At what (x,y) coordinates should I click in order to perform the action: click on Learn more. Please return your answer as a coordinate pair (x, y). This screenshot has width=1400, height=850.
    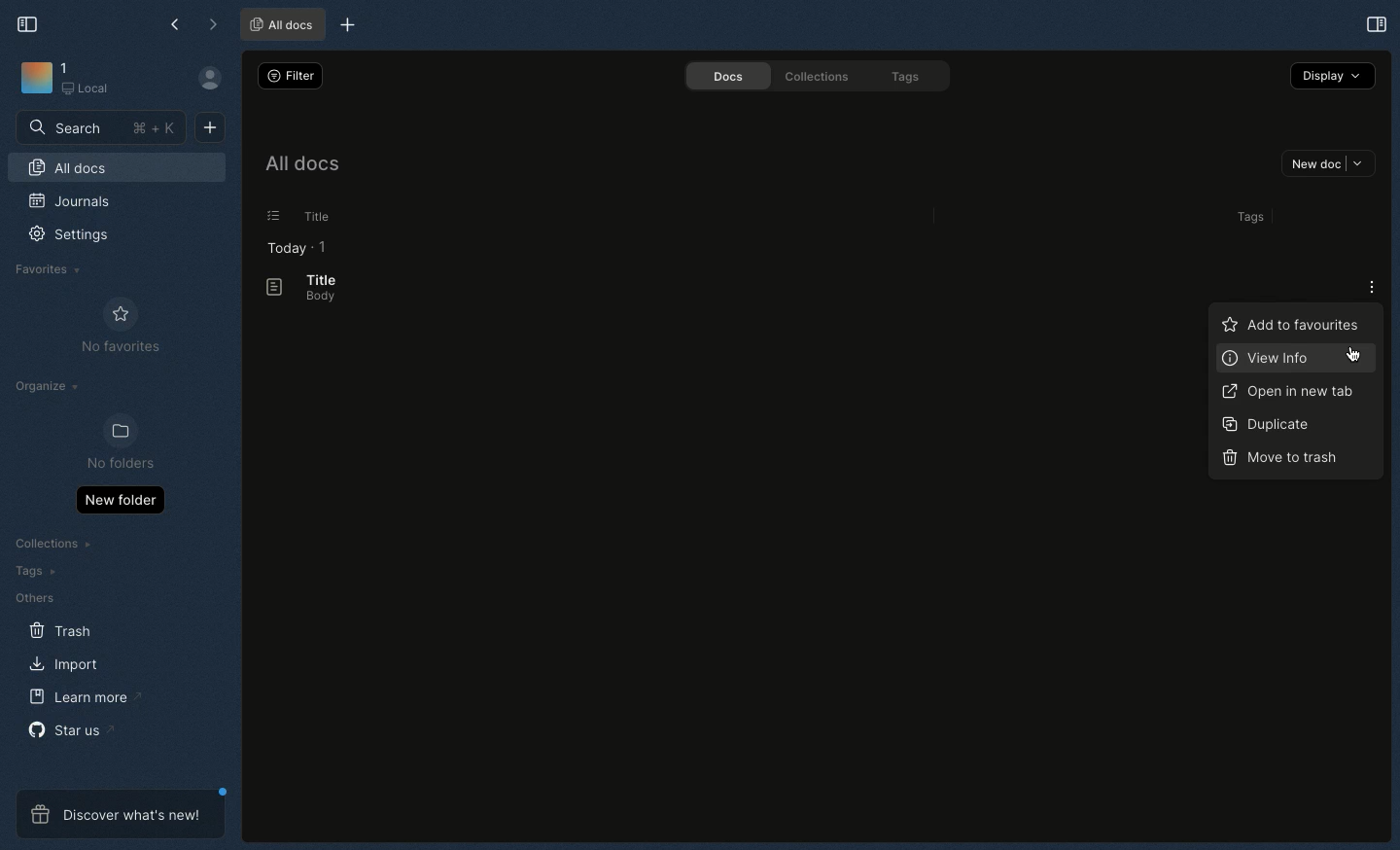
    Looking at the image, I should click on (86, 697).